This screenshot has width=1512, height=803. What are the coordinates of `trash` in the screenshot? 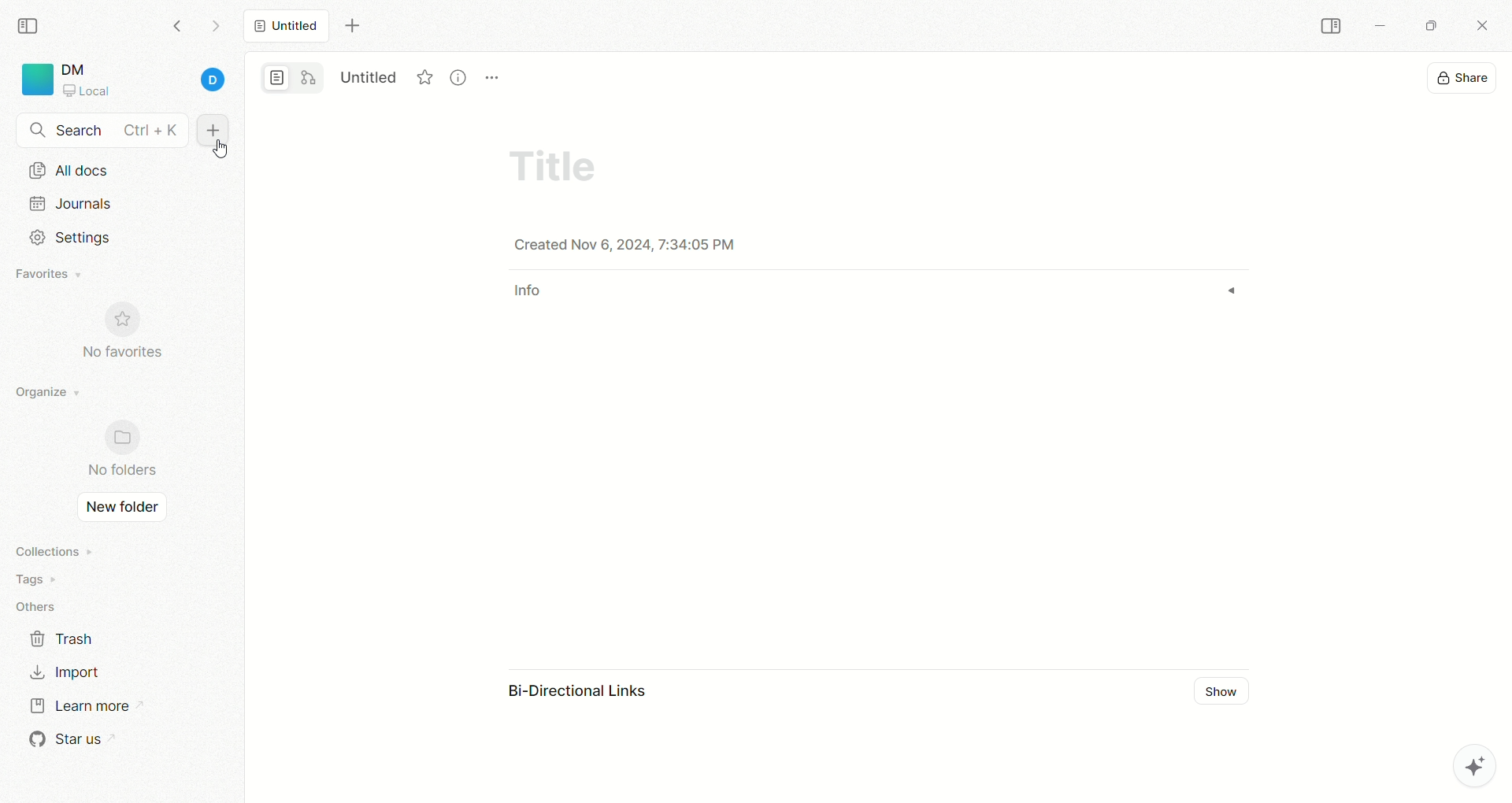 It's located at (63, 638).